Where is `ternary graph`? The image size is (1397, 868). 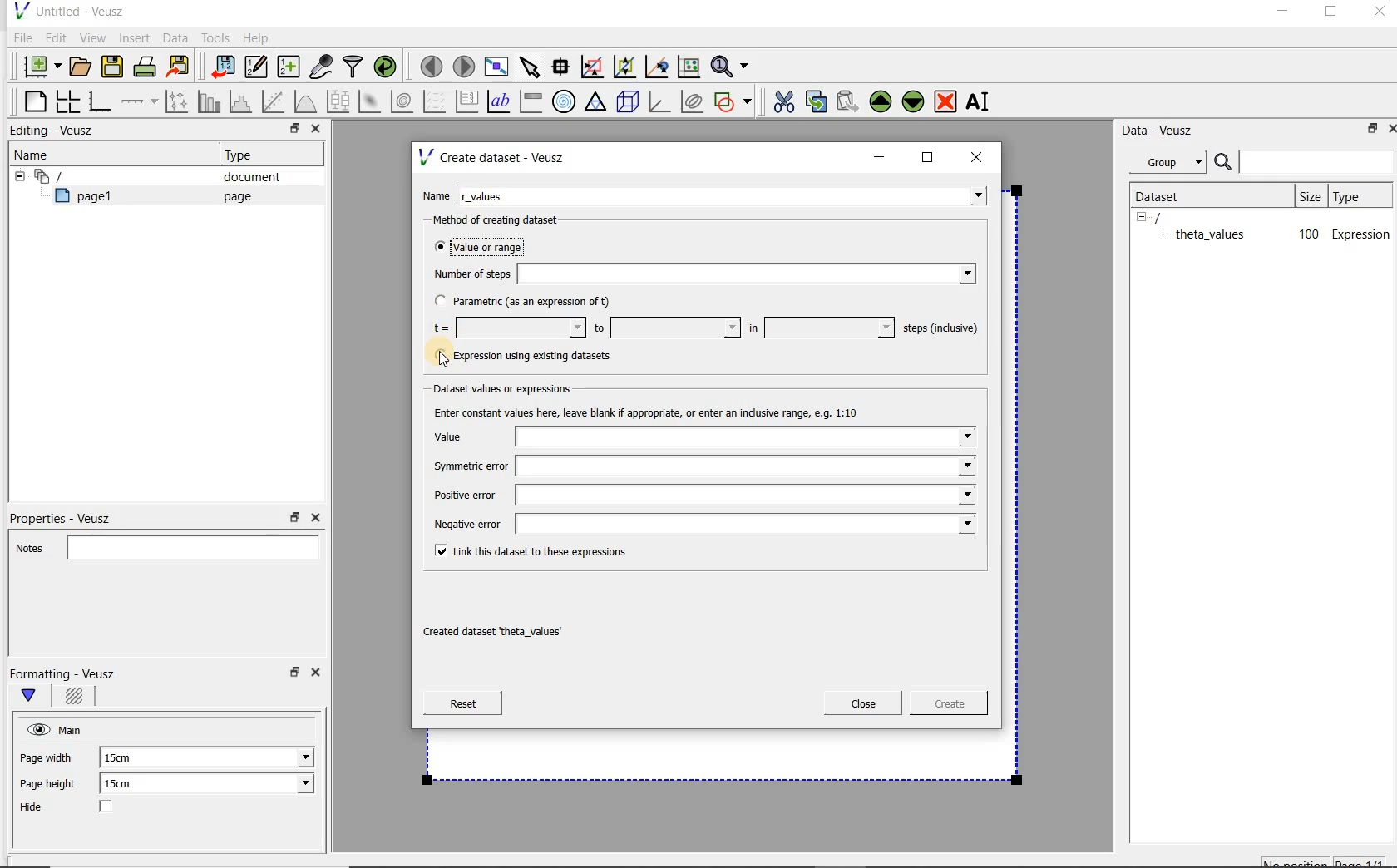 ternary graph is located at coordinates (597, 102).